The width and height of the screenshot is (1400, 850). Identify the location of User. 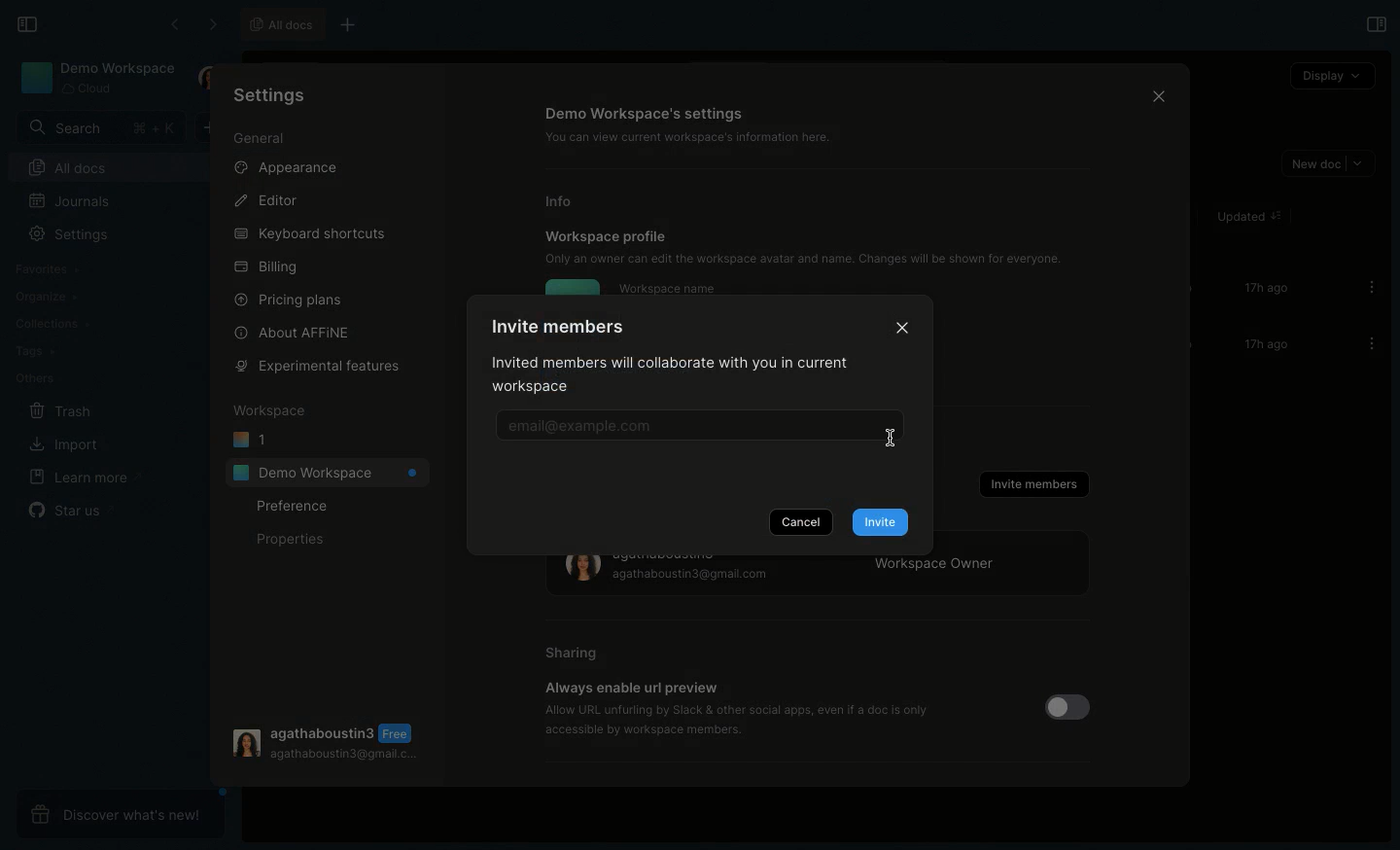
(208, 79).